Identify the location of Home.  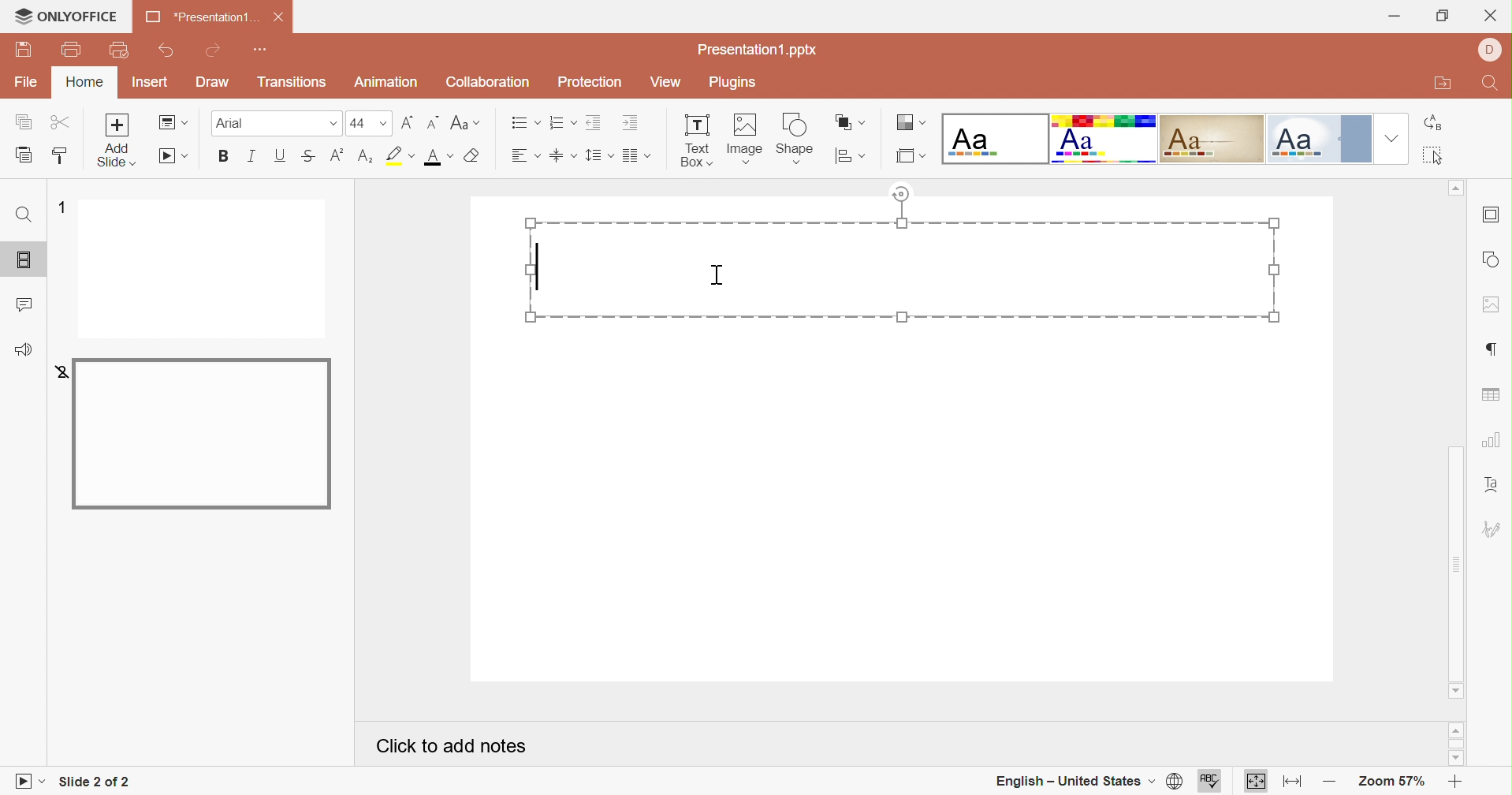
(85, 82).